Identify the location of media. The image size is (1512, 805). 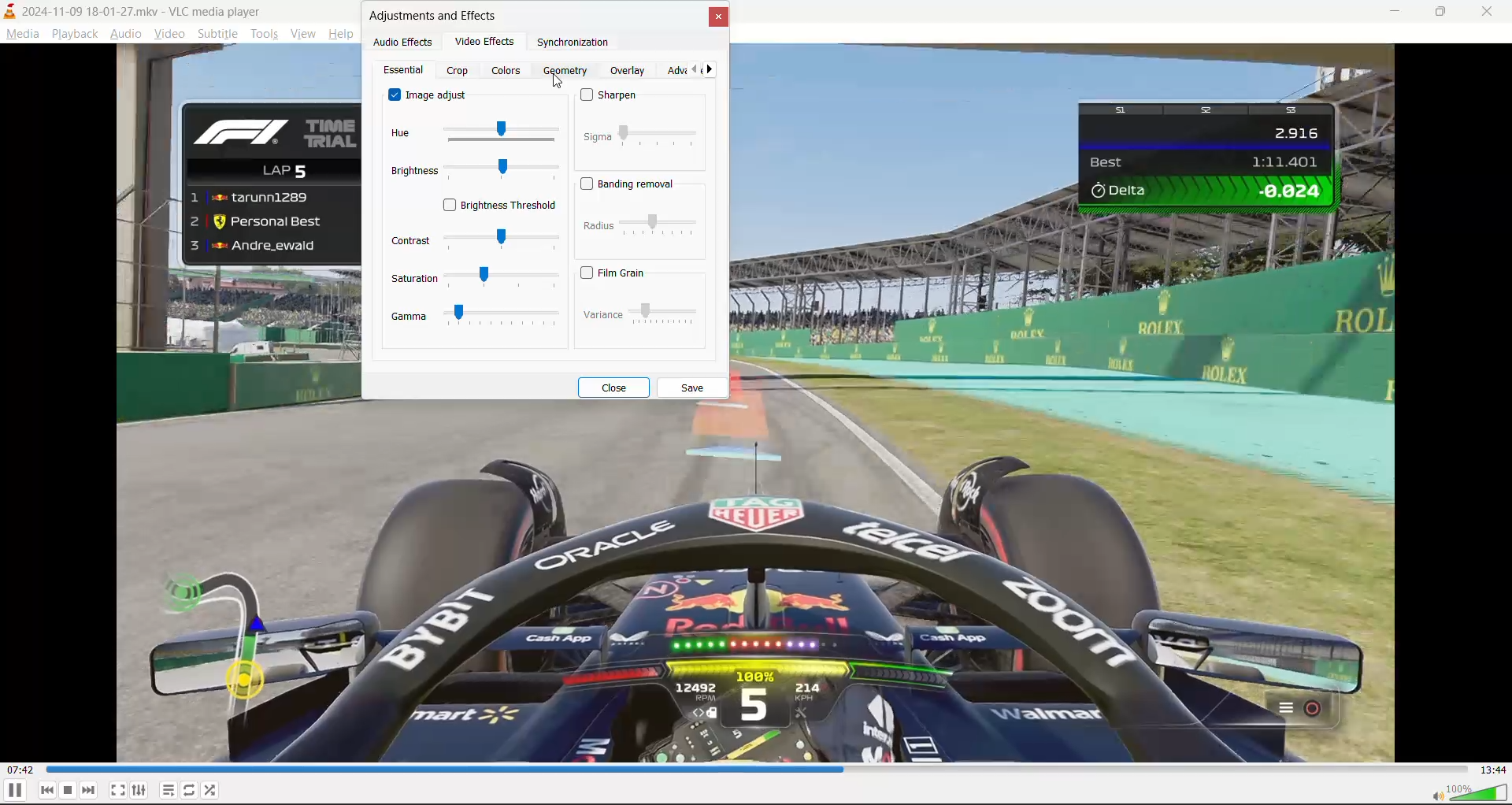
(20, 34).